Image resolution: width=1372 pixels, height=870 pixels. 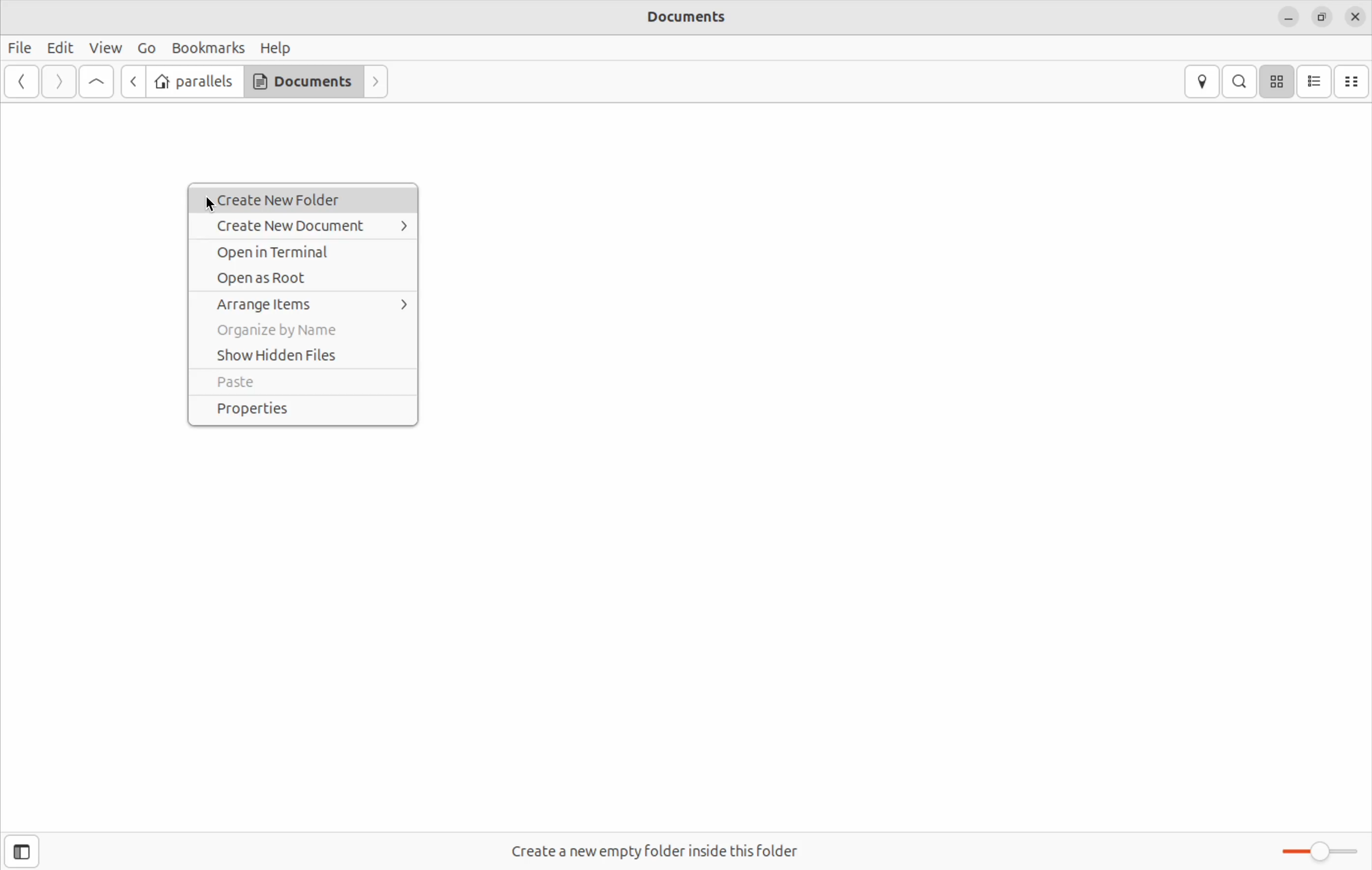 What do you see at coordinates (1356, 17) in the screenshot?
I see `close` at bounding box center [1356, 17].